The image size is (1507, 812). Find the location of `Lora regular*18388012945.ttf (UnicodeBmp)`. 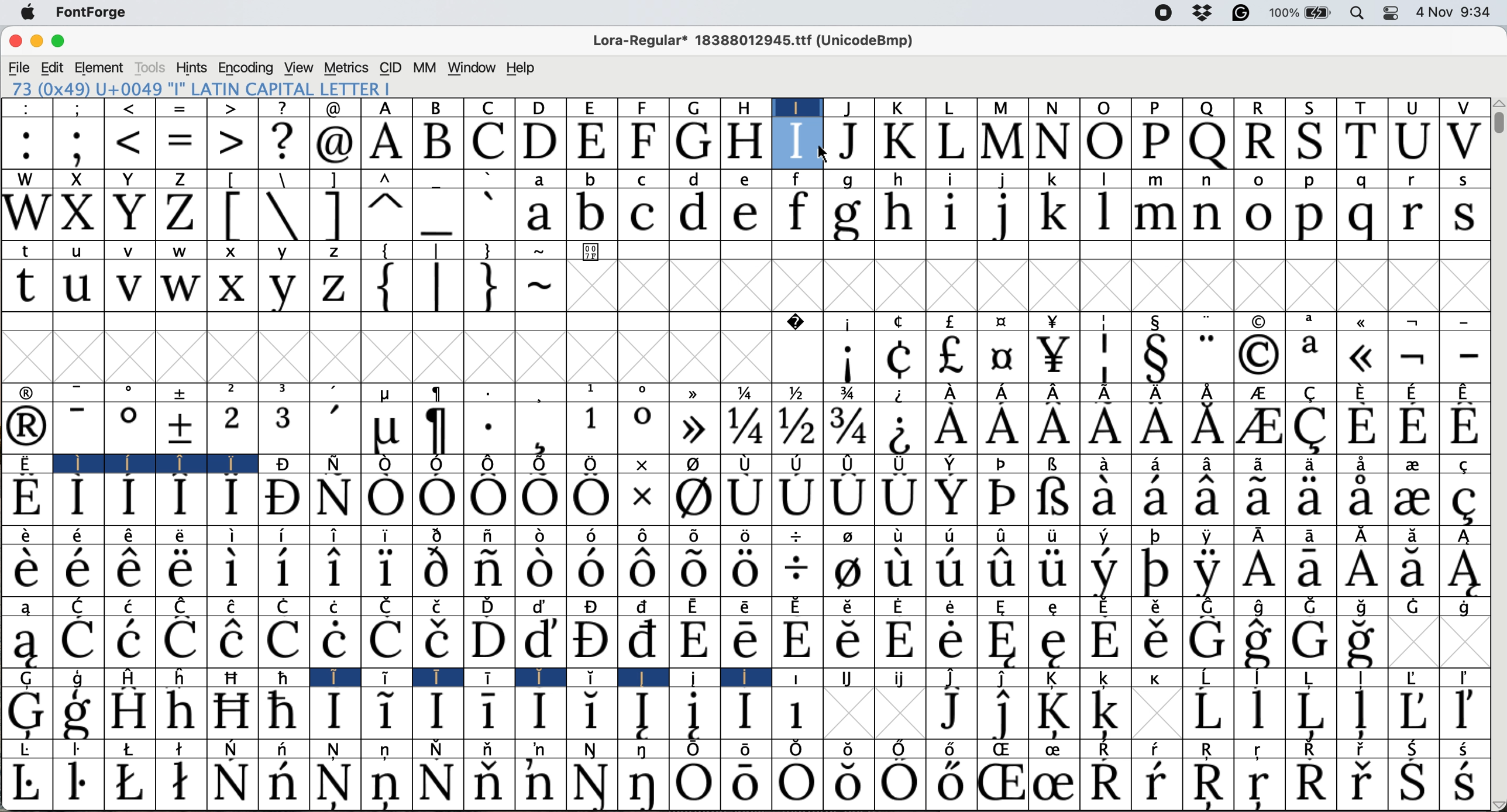

Lora regular*18388012945.ttf (UnicodeBmp) is located at coordinates (750, 42).